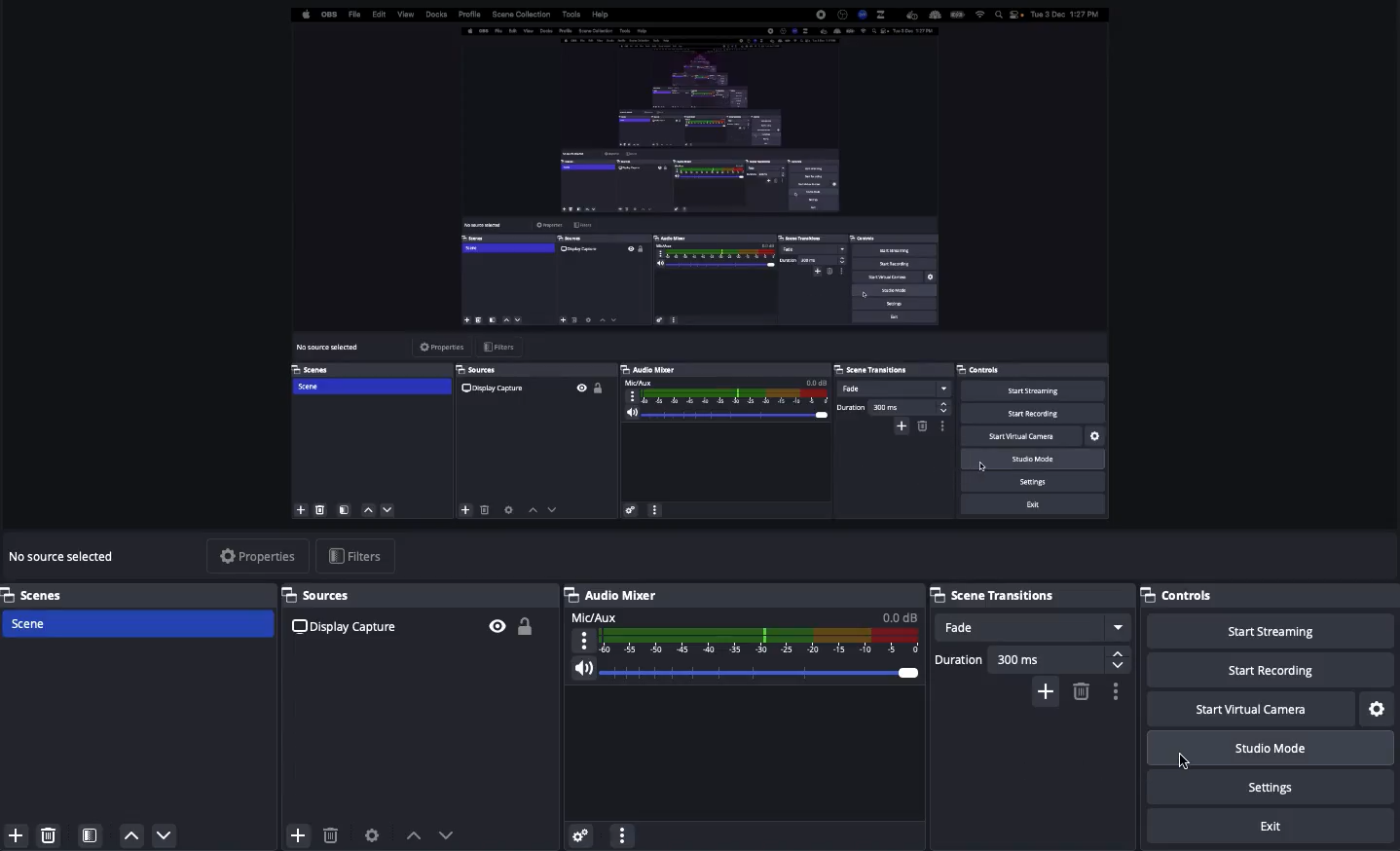  Describe the element at coordinates (1270, 595) in the screenshot. I see `Controls` at that location.